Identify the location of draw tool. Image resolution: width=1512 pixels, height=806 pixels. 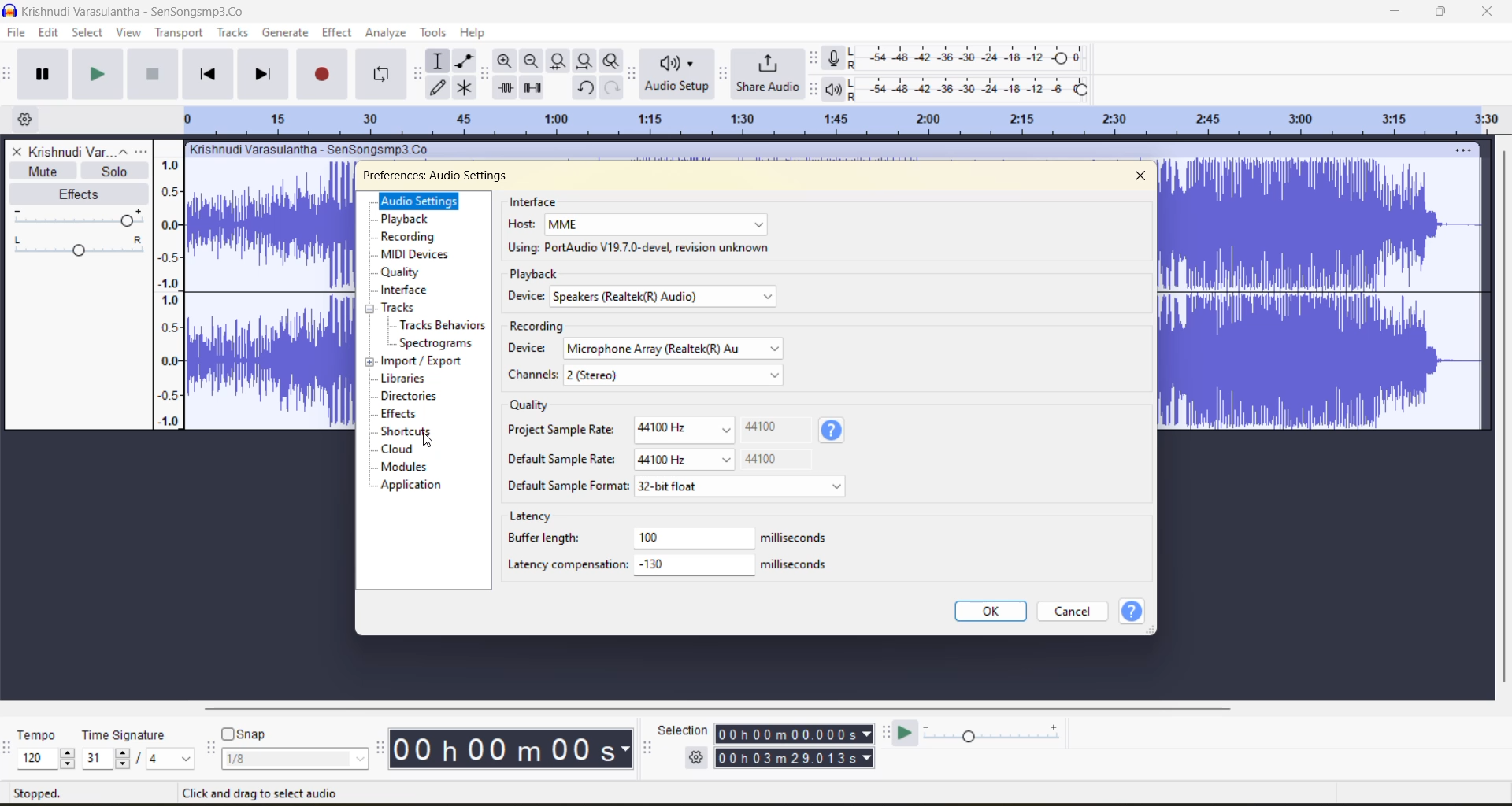
(439, 87).